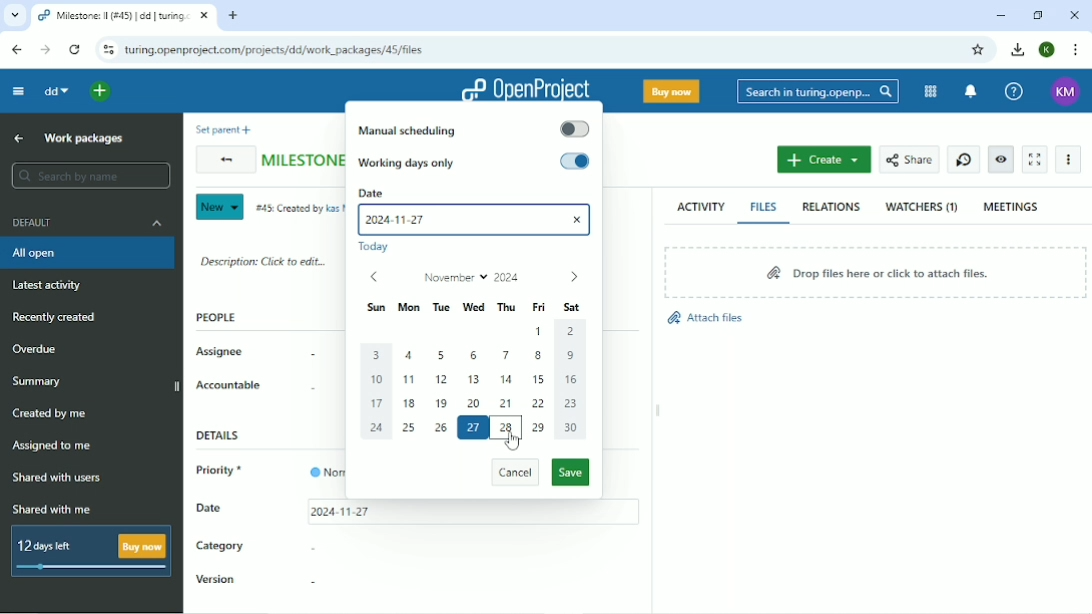  What do you see at coordinates (964, 160) in the screenshot?
I see `Start new timer` at bounding box center [964, 160].